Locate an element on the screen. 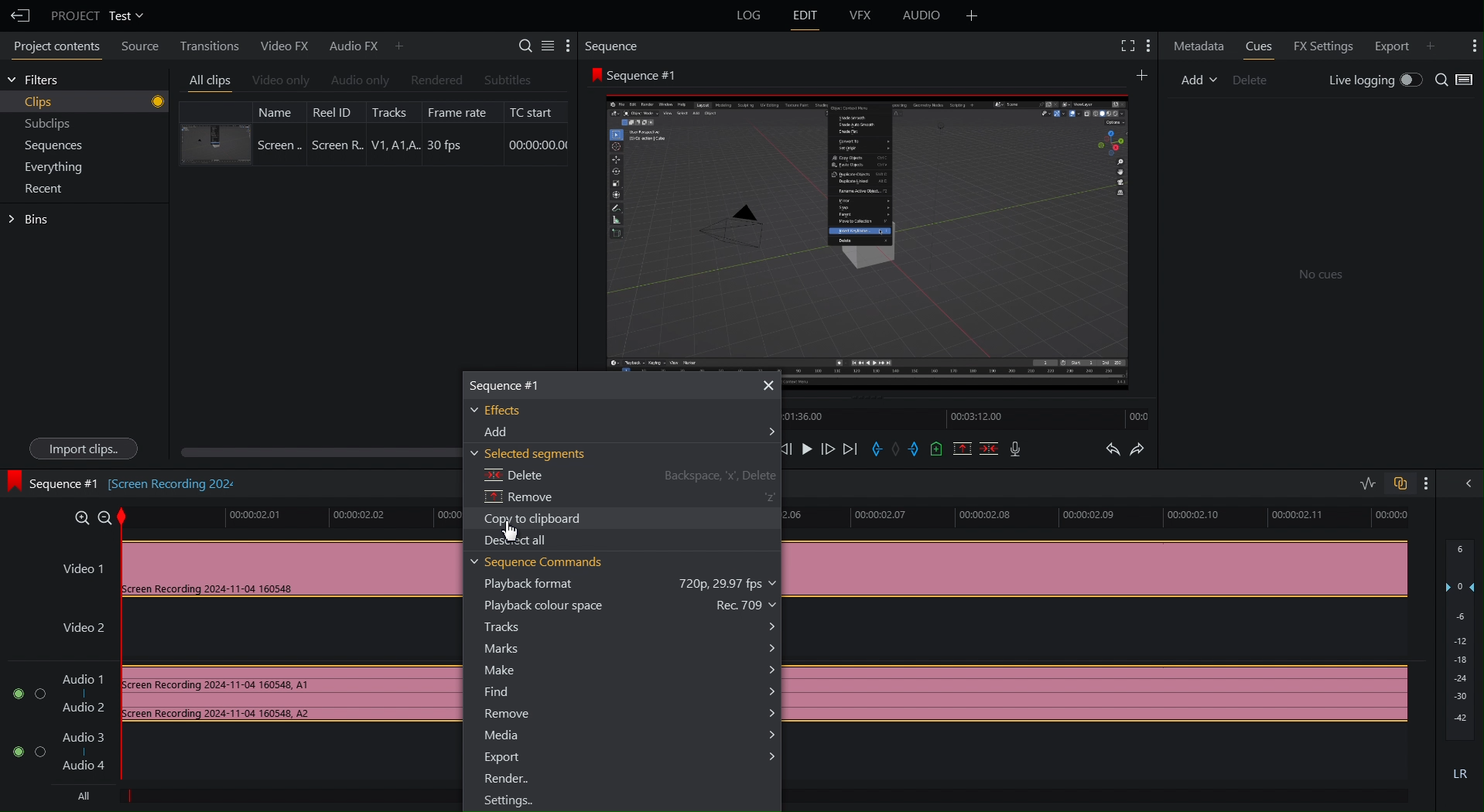 This screenshot has height=812, width=1484. Settings is located at coordinates (542, 47).